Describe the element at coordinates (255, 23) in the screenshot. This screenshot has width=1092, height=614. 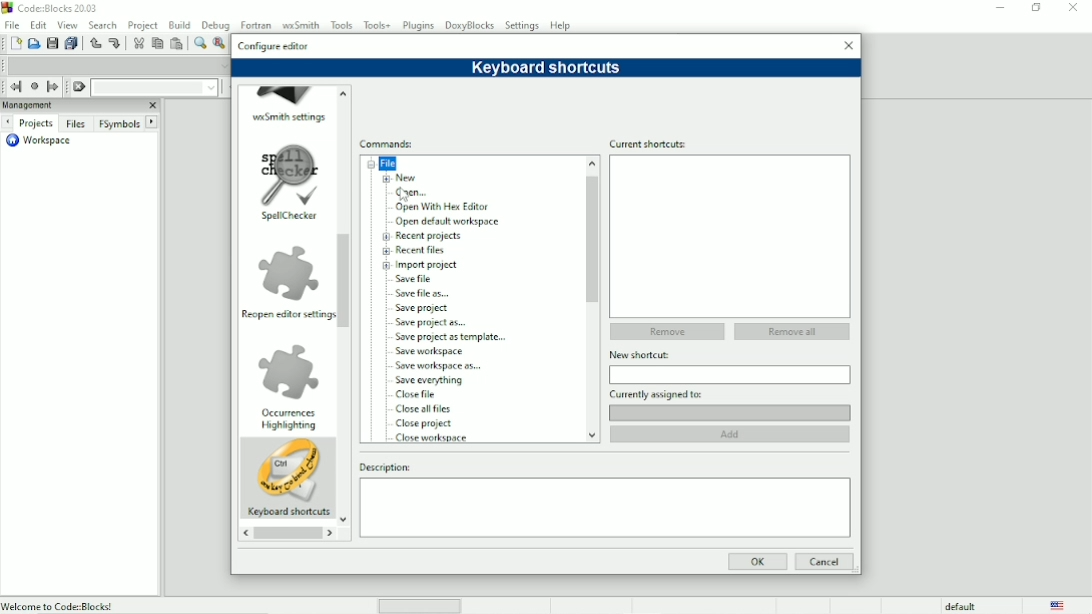
I see `Fortran` at that location.